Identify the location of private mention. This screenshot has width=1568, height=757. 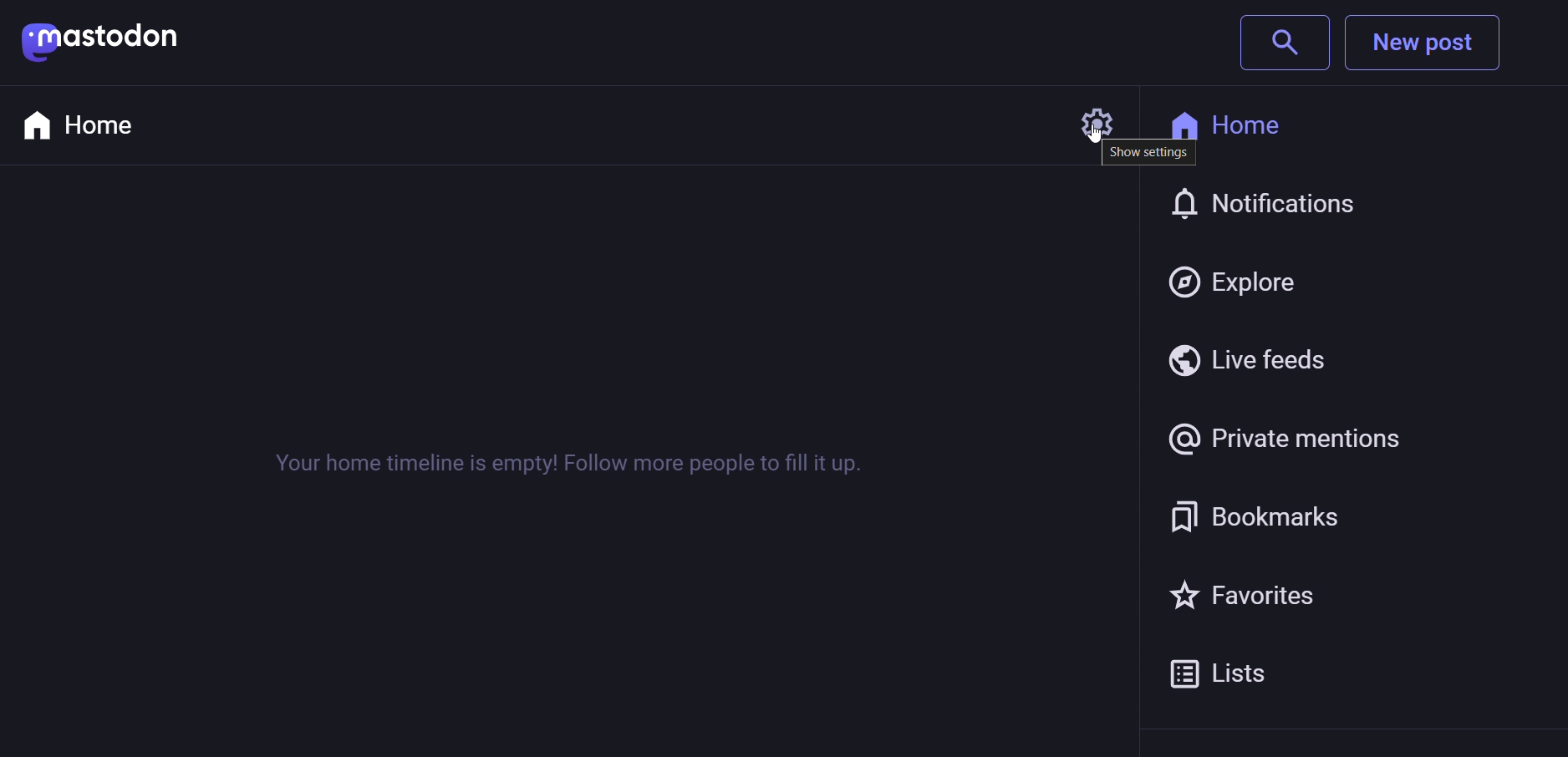
(1289, 434).